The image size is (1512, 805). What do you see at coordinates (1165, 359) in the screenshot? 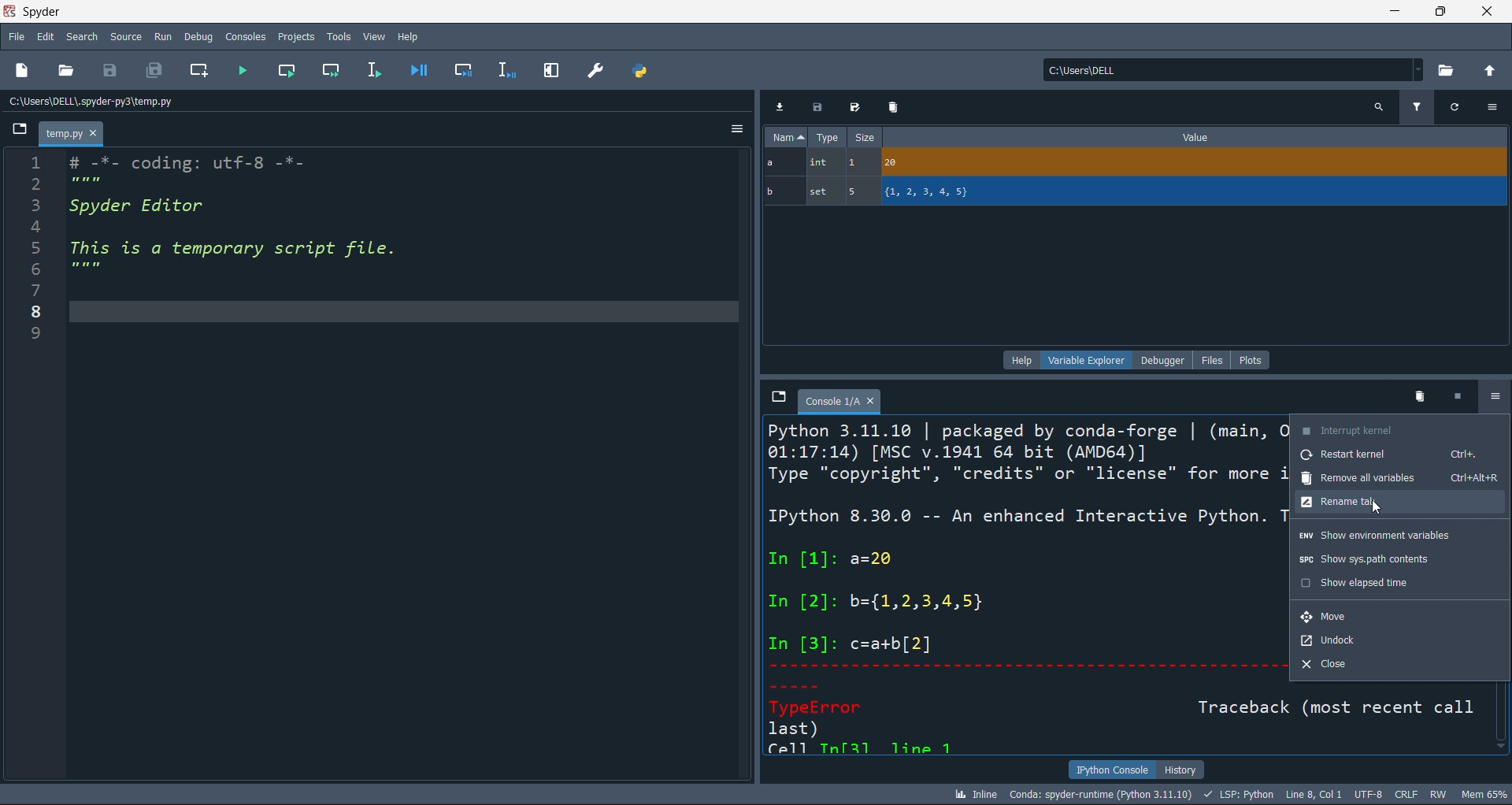
I see `debugger` at bounding box center [1165, 359].